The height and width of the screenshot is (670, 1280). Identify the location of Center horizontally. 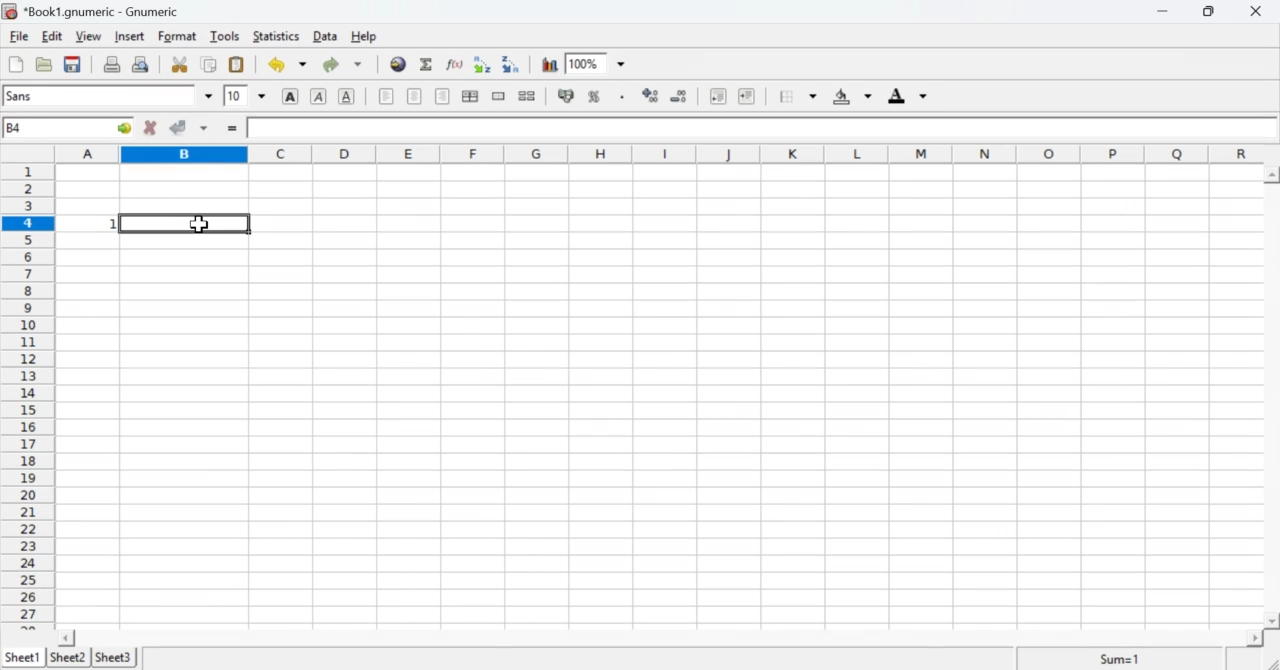
(415, 97).